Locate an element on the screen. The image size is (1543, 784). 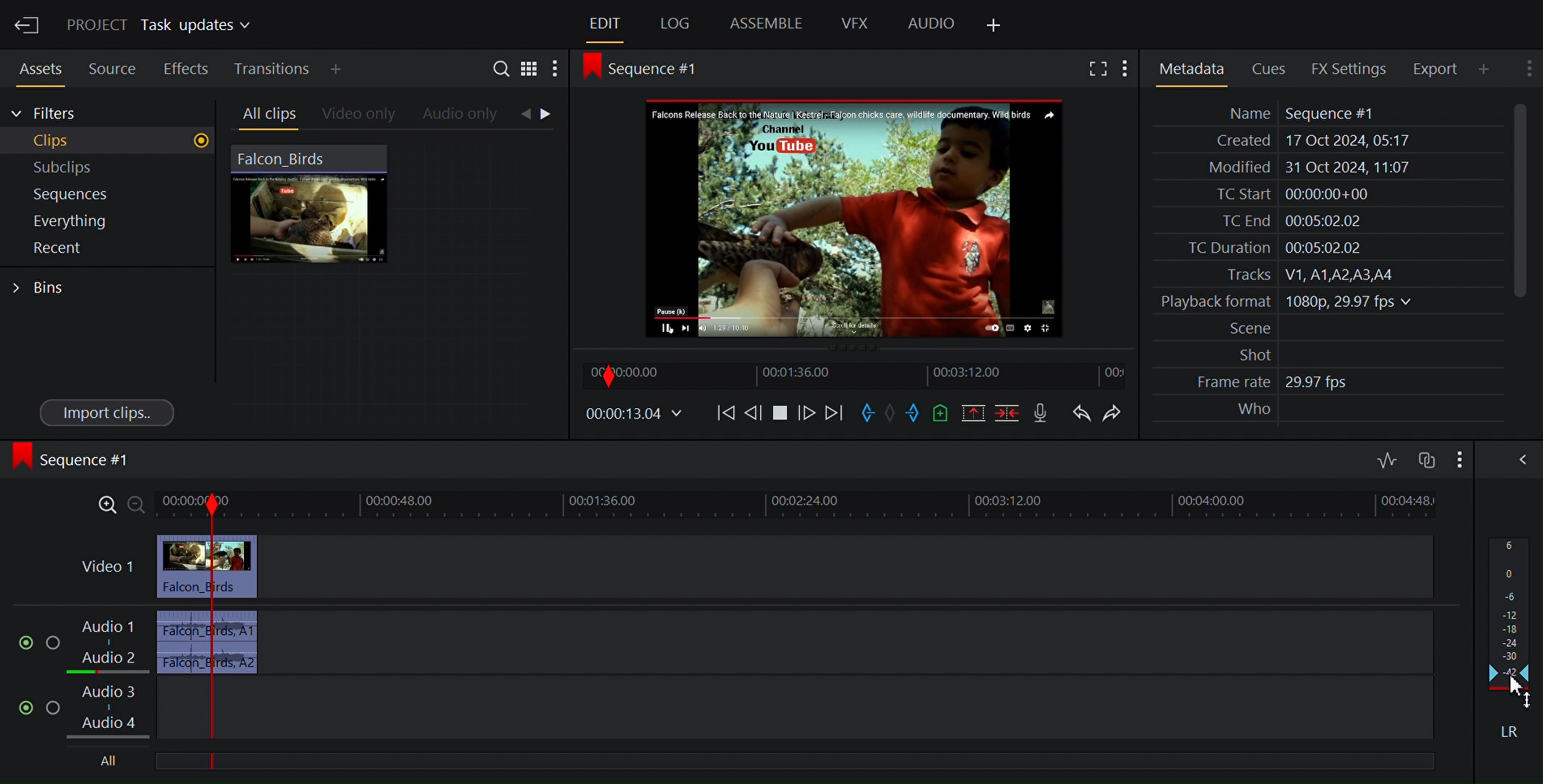
Add Panel is located at coordinates (336, 68).